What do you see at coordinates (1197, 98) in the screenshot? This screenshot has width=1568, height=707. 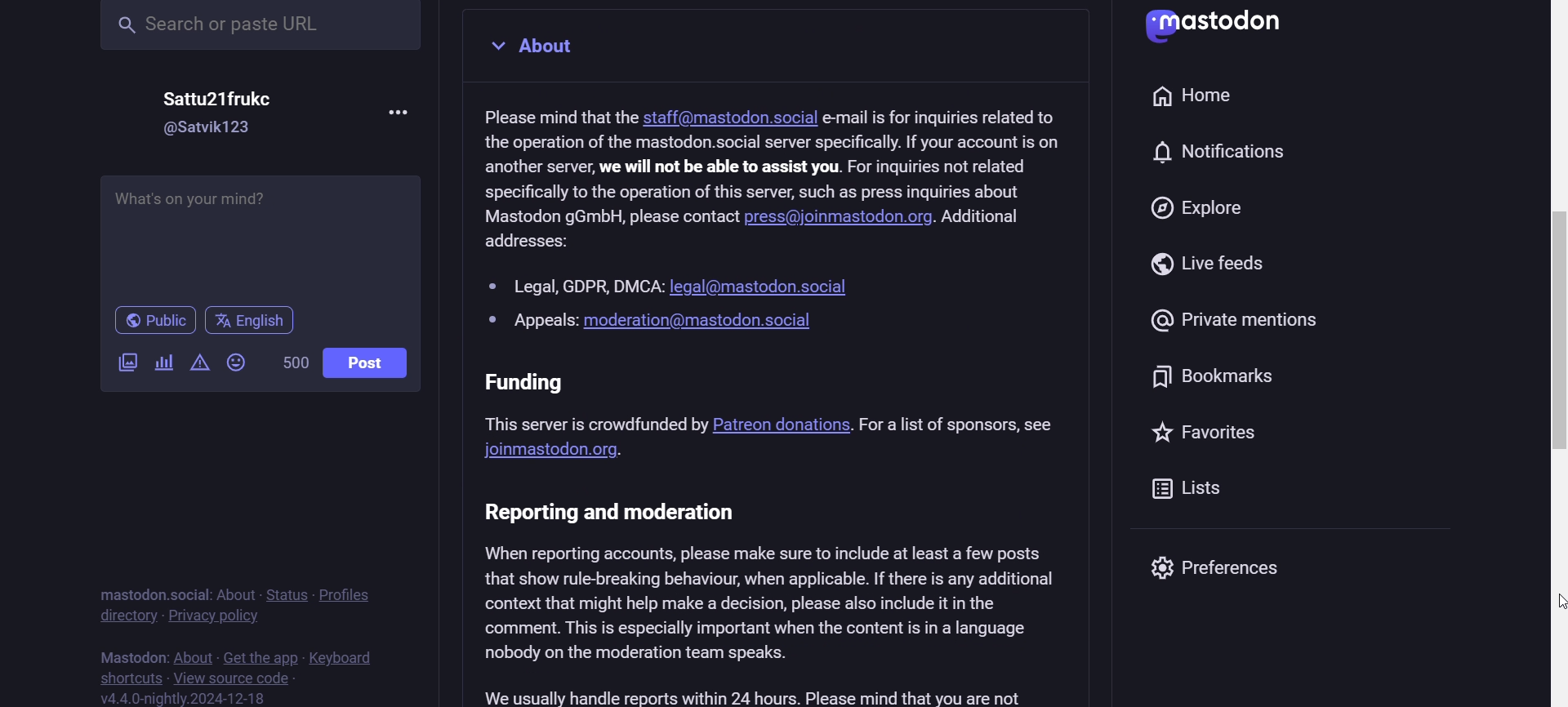 I see `home` at bounding box center [1197, 98].